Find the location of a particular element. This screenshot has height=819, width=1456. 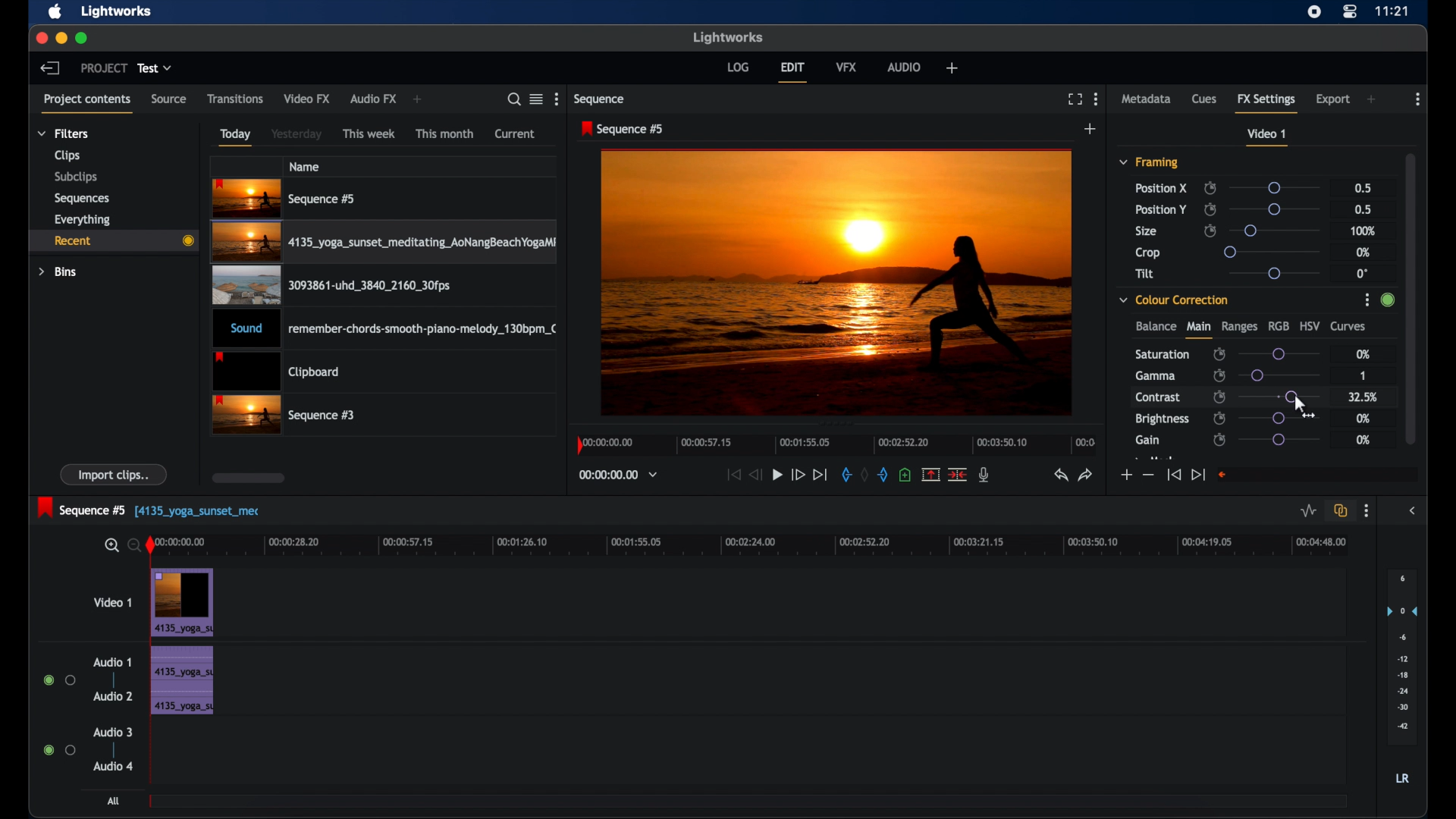

0.5 is located at coordinates (1363, 187).